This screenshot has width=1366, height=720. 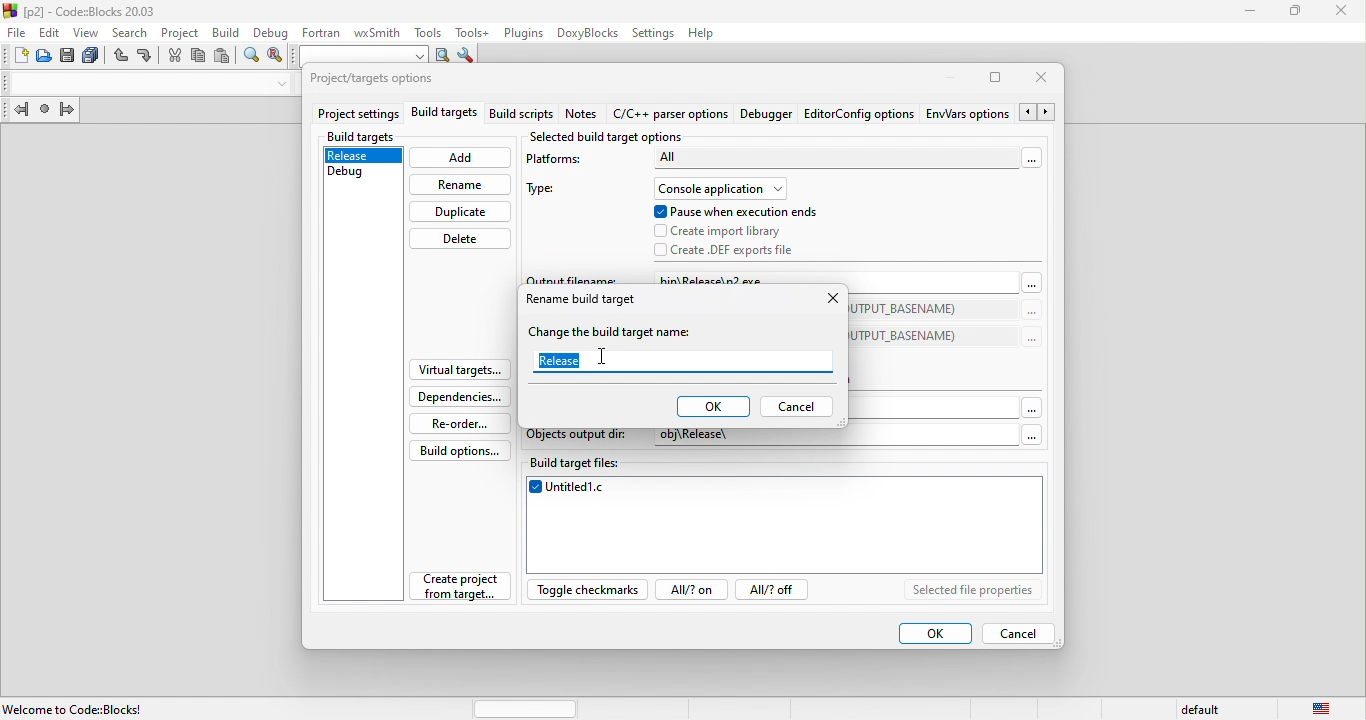 I want to click on editor config option, so click(x=858, y=114).